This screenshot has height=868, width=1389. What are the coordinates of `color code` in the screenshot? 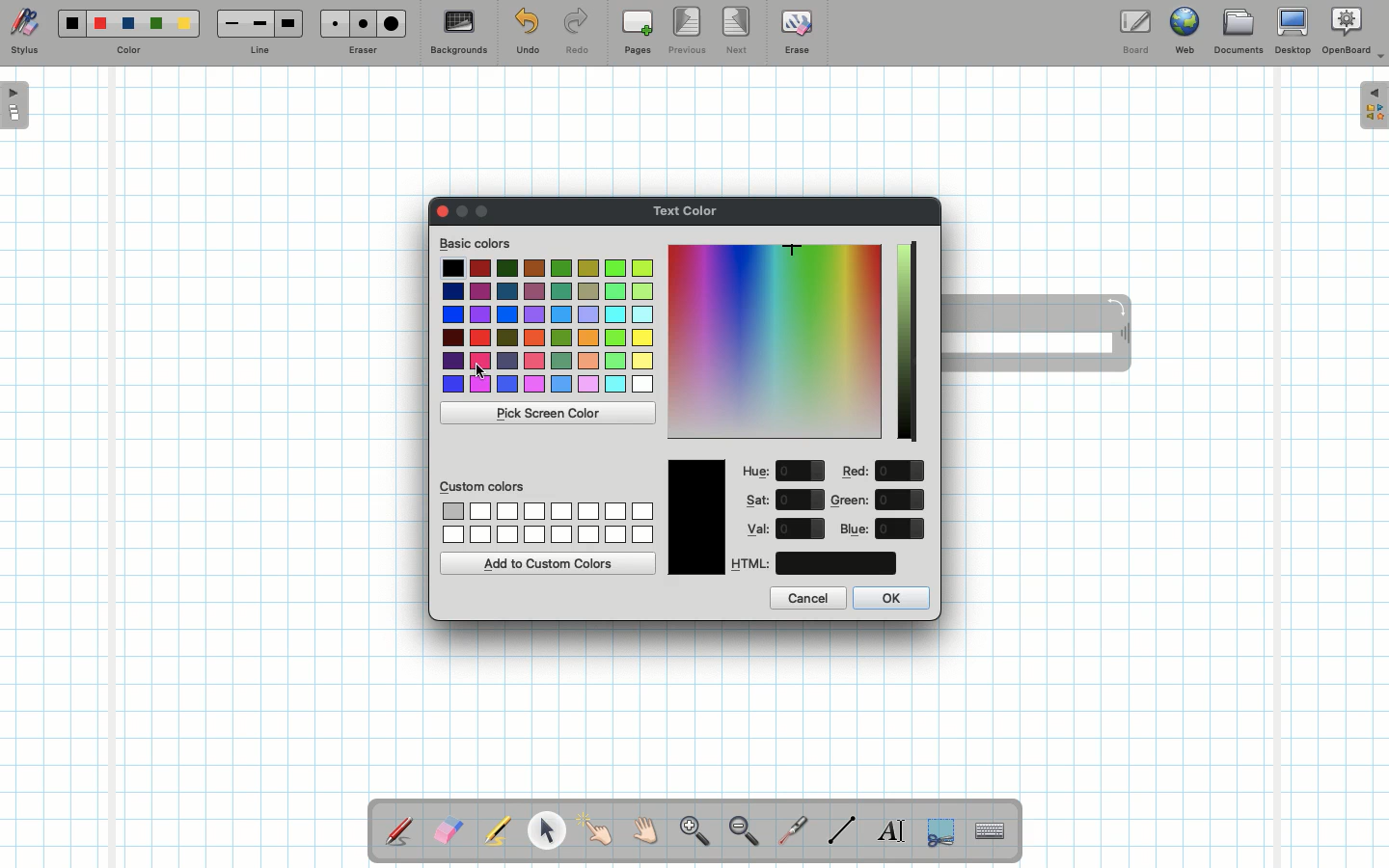 It's located at (834, 563).